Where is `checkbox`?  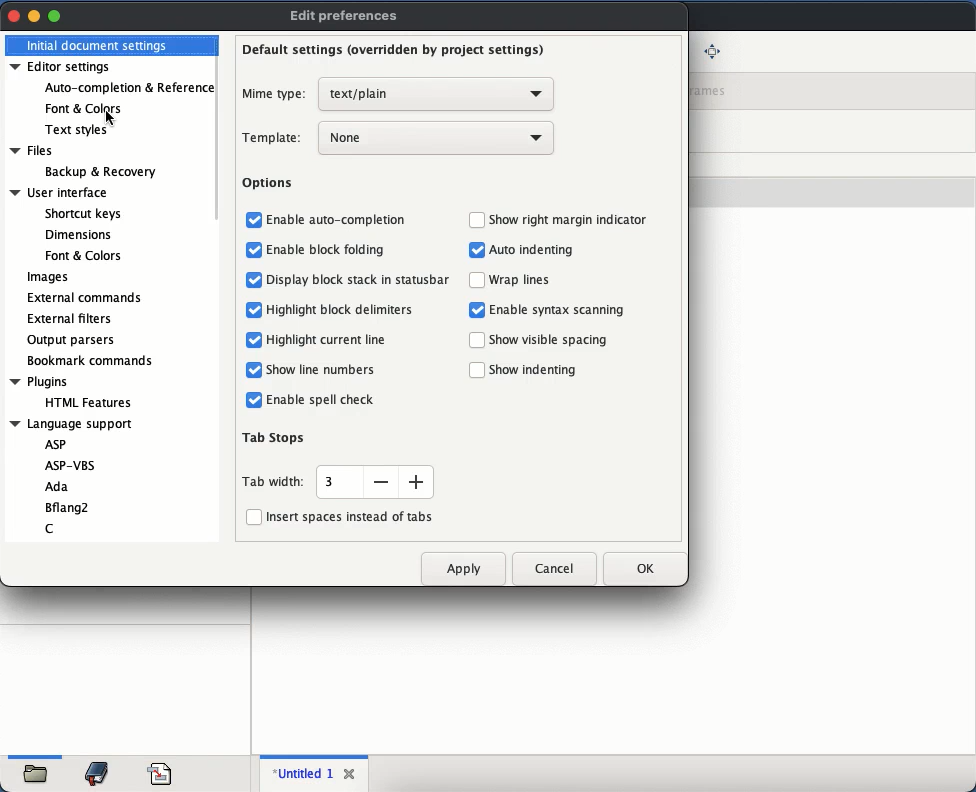 checkbox is located at coordinates (252, 310).